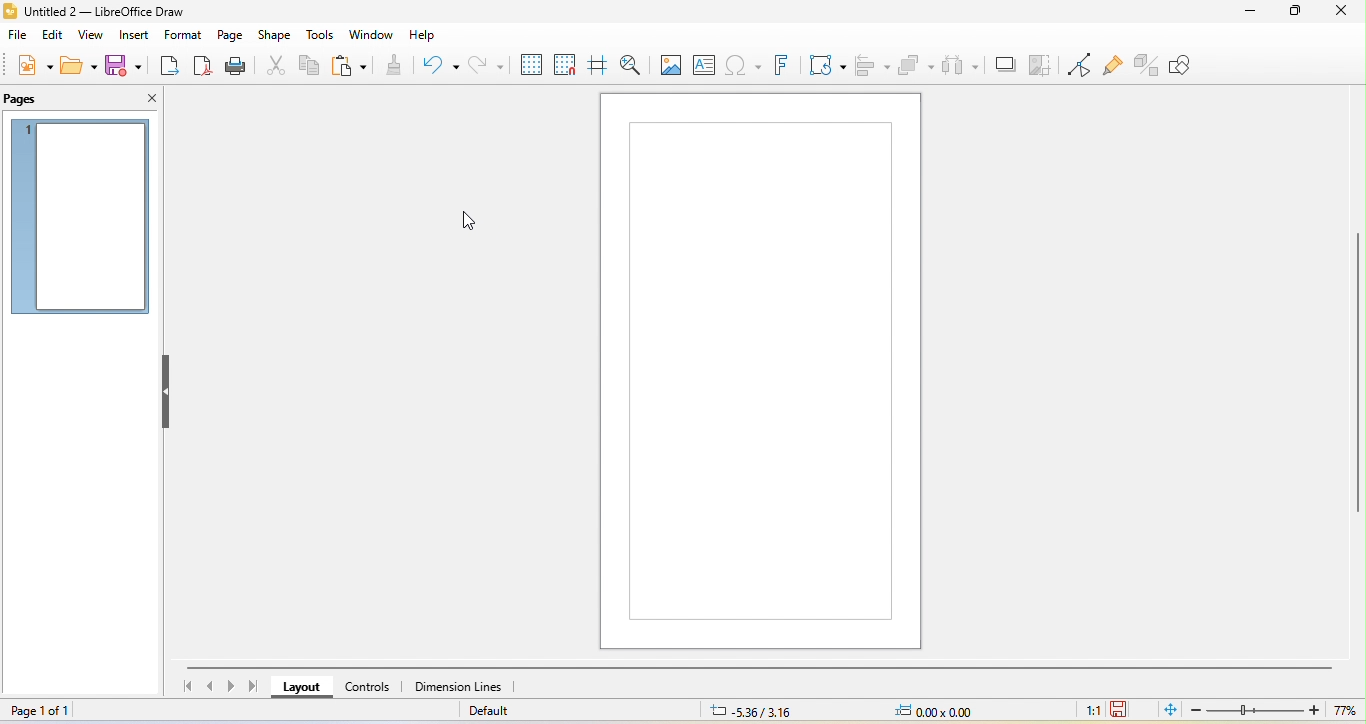  I want to click on Cursor, so click(462, 221).